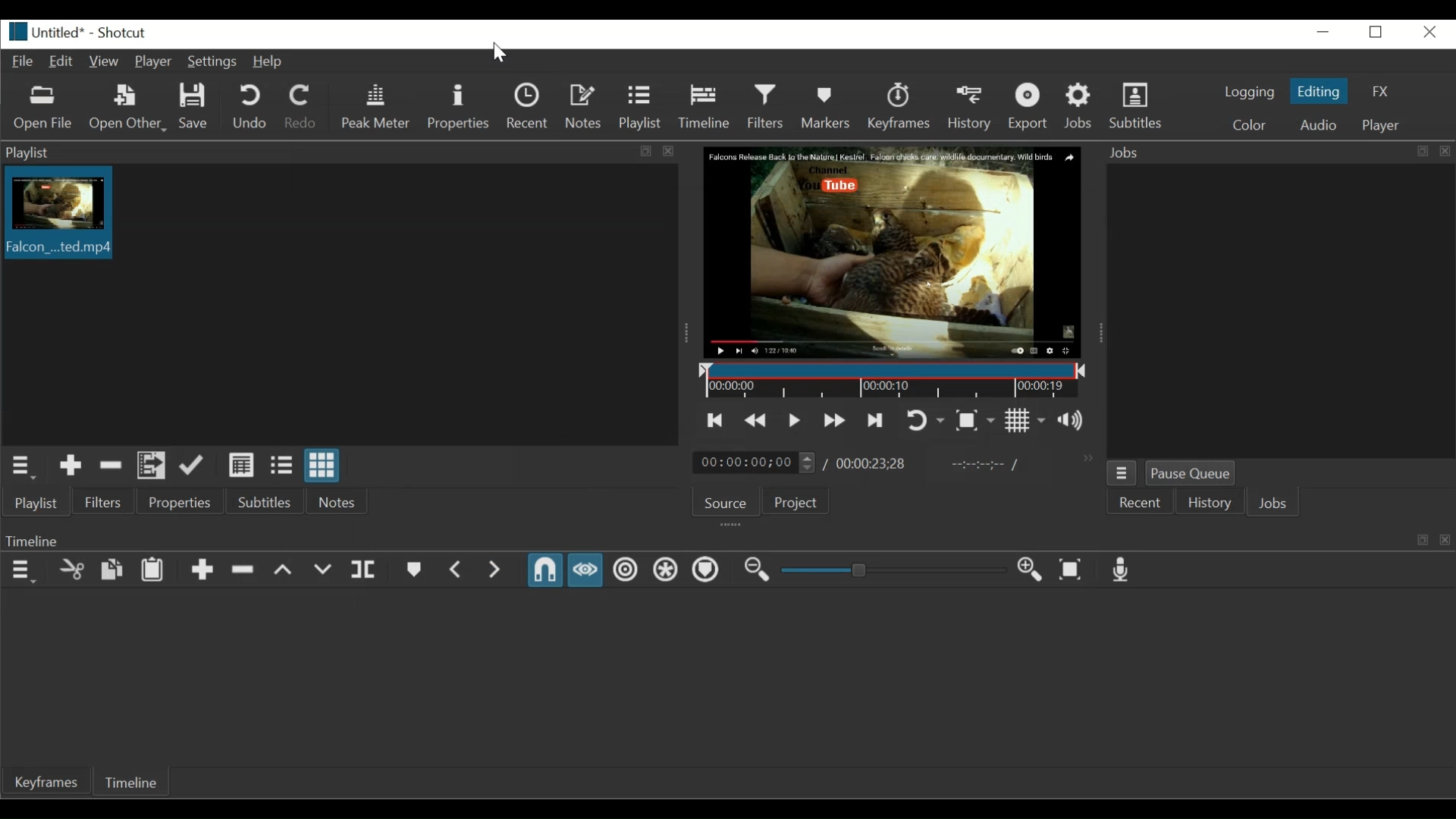  I want to click on lift, so click(285, 571).